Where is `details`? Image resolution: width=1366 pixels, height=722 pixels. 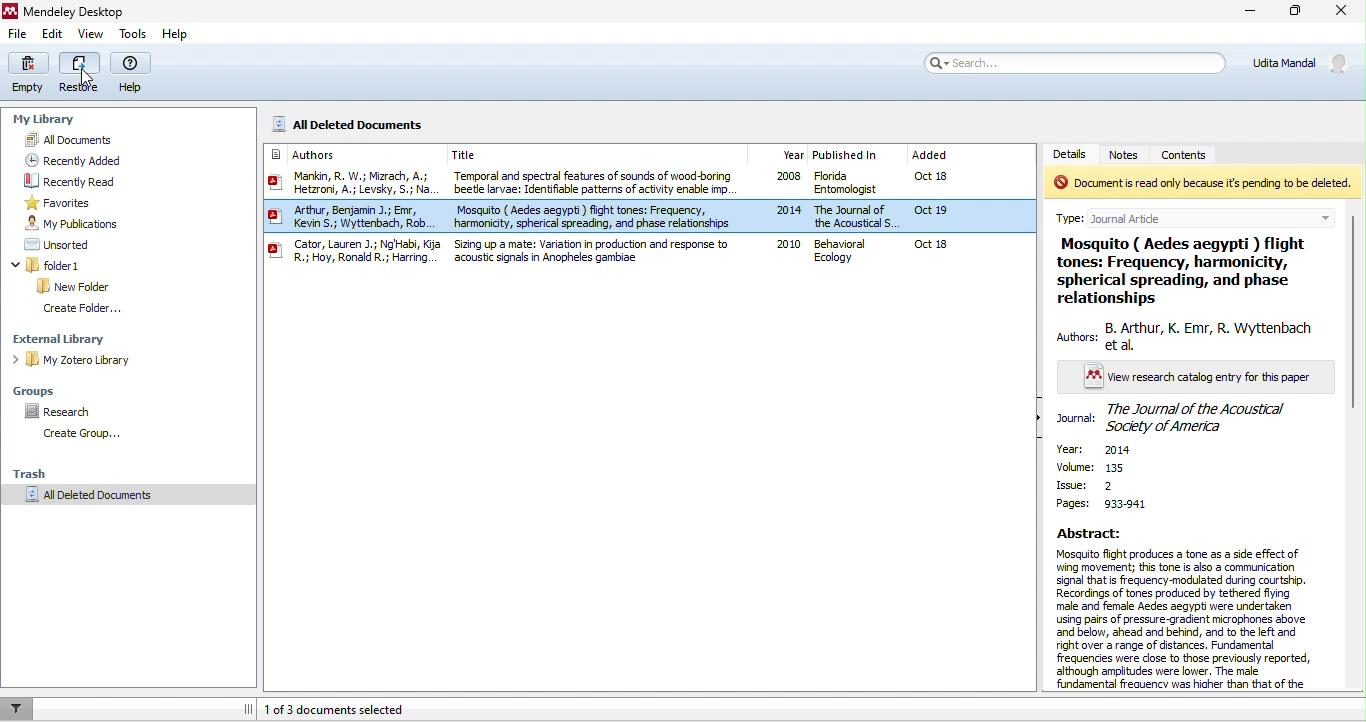
details is located at coordinates (1073, 153).